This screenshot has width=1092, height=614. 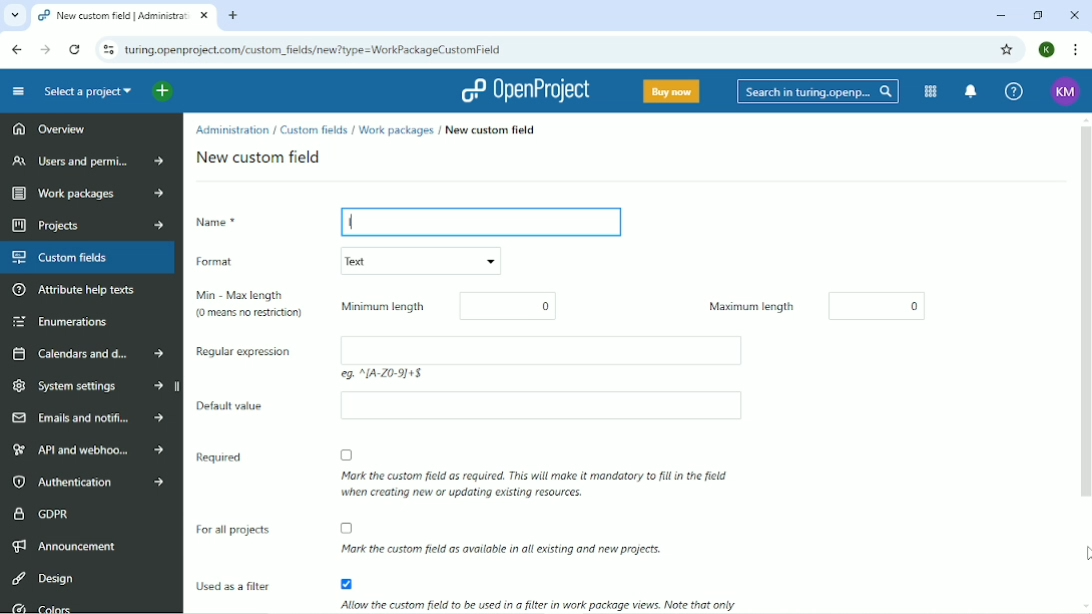 I want to click on Regular expression, so click(x=253, y=361).